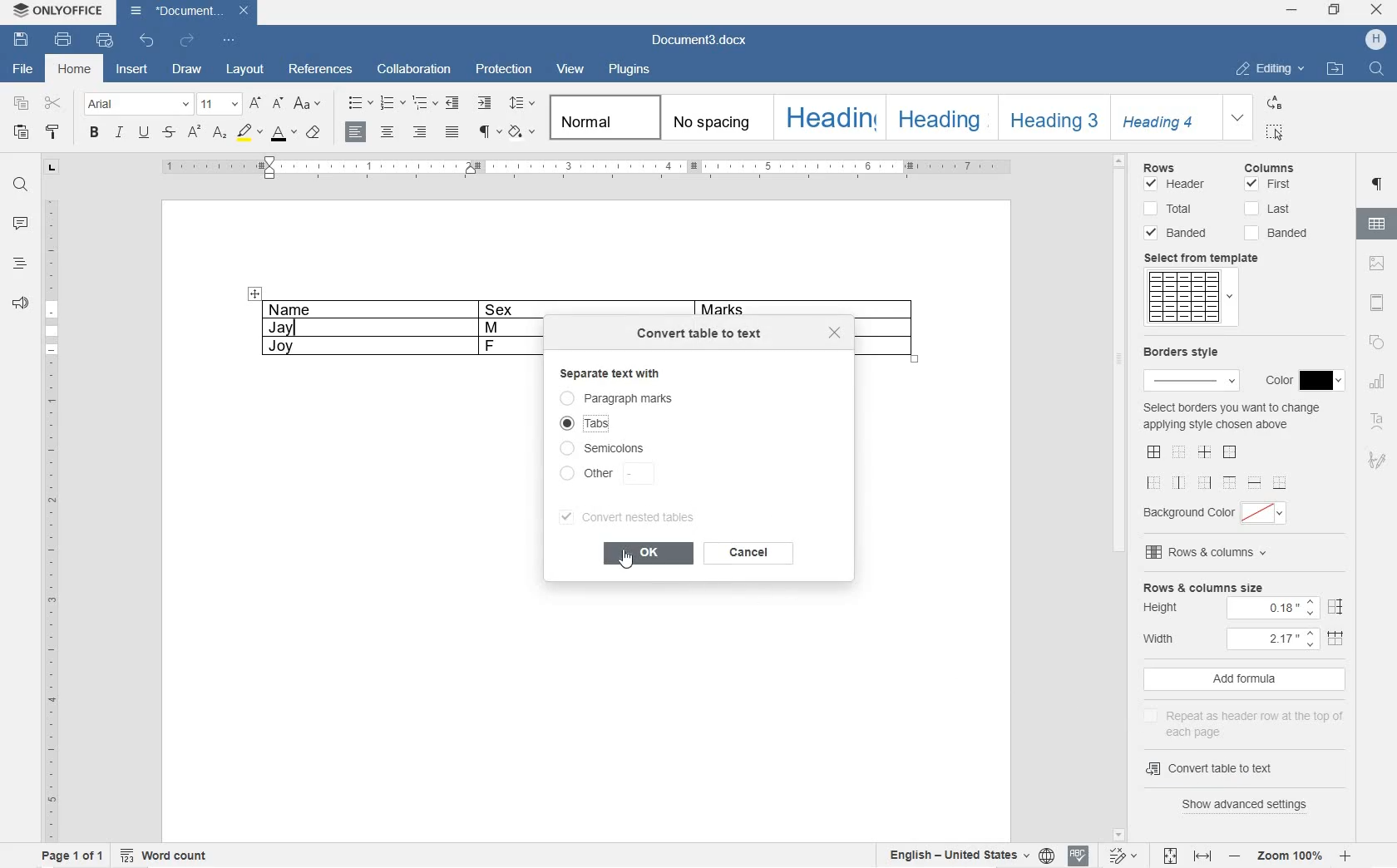  I want to click on ok, so click(648, 553).